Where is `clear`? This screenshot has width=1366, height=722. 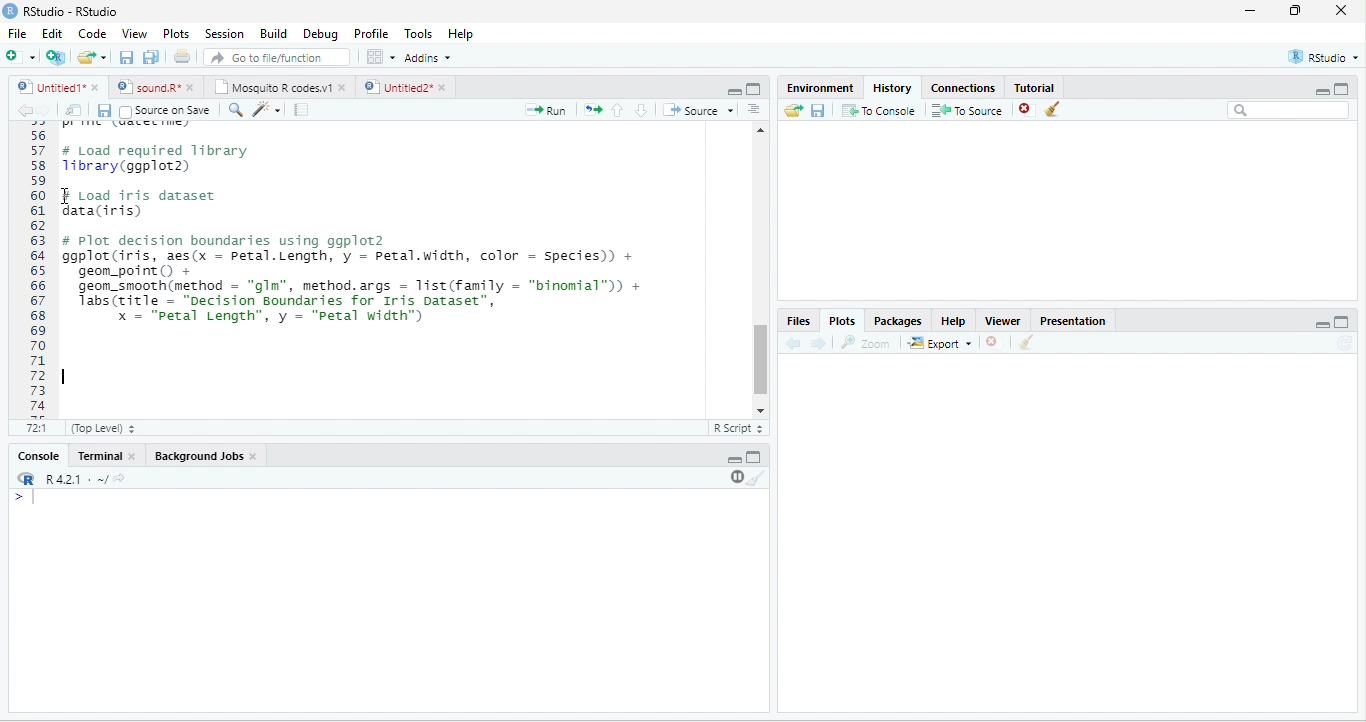
clear is located at coordinates (1052, 109).